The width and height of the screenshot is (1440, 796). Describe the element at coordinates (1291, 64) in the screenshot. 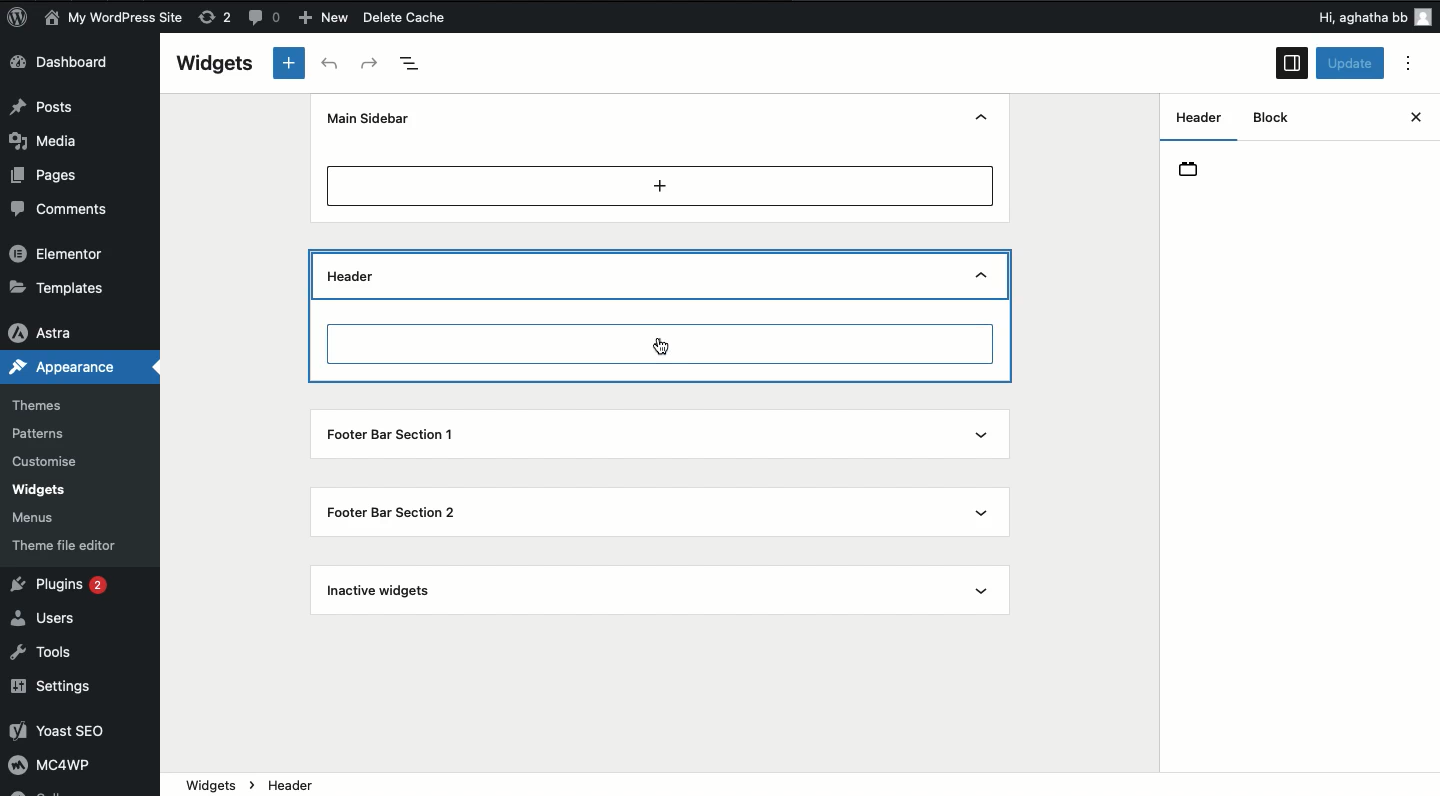

I see `Sidebar` at that location.